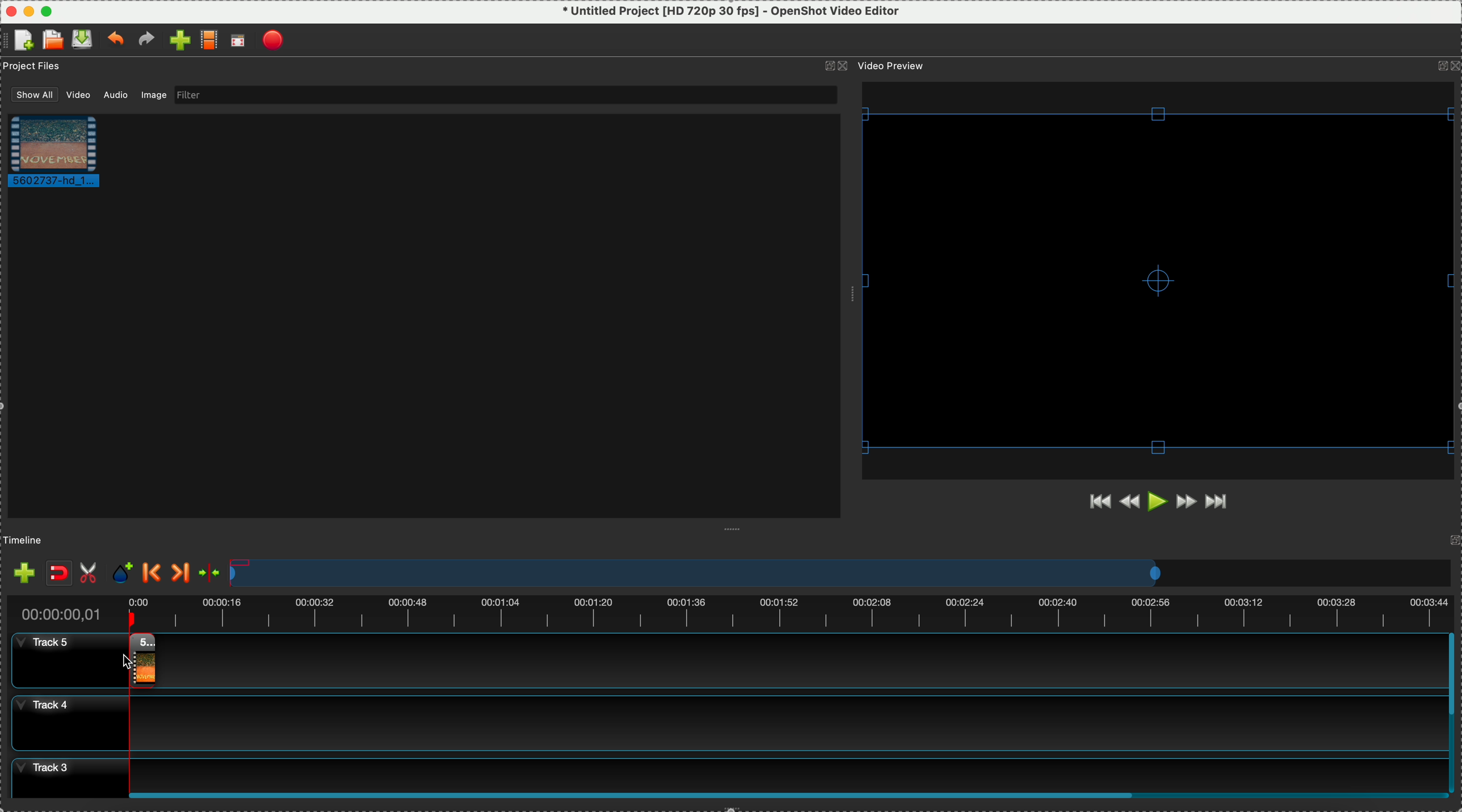 The image size is (1462, 812). Describe the element at coordinates (240, 41) in the screenshot. I see `full screen` at that location.